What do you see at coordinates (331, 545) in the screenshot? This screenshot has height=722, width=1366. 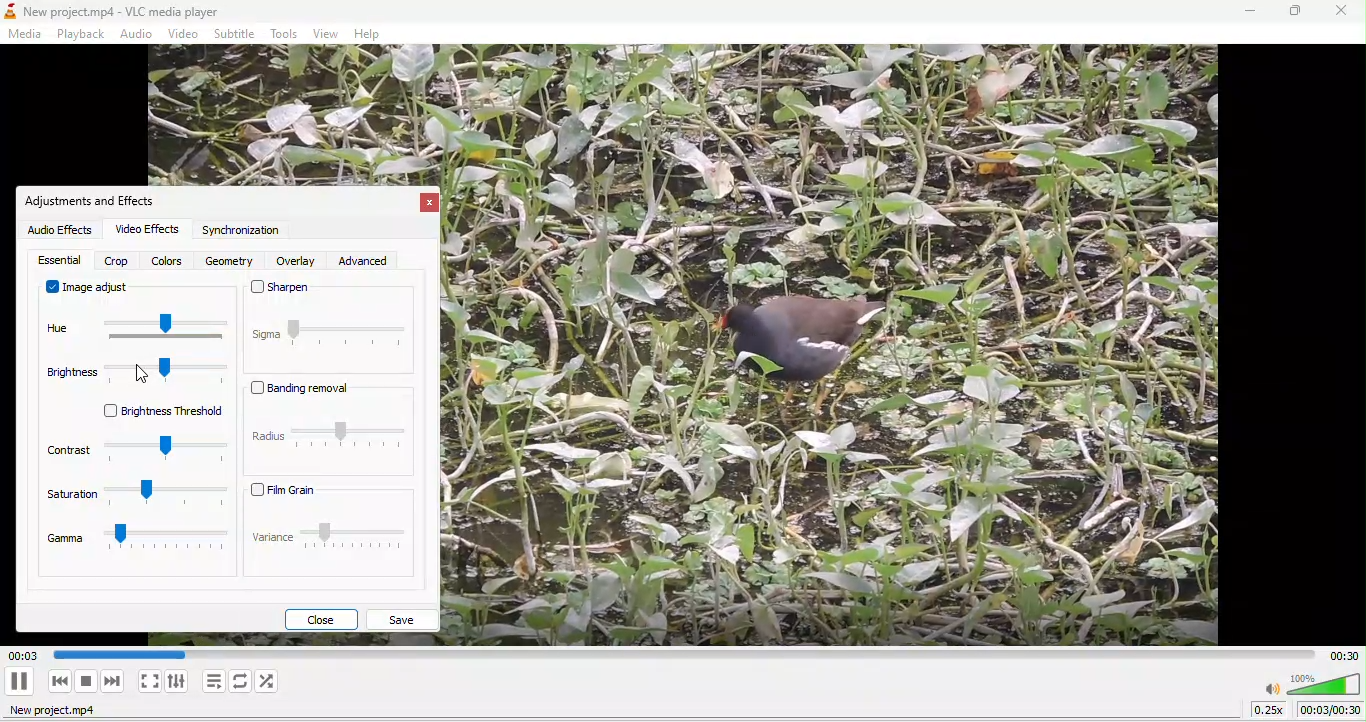 I see `variance` at bounding box center [331, 545].